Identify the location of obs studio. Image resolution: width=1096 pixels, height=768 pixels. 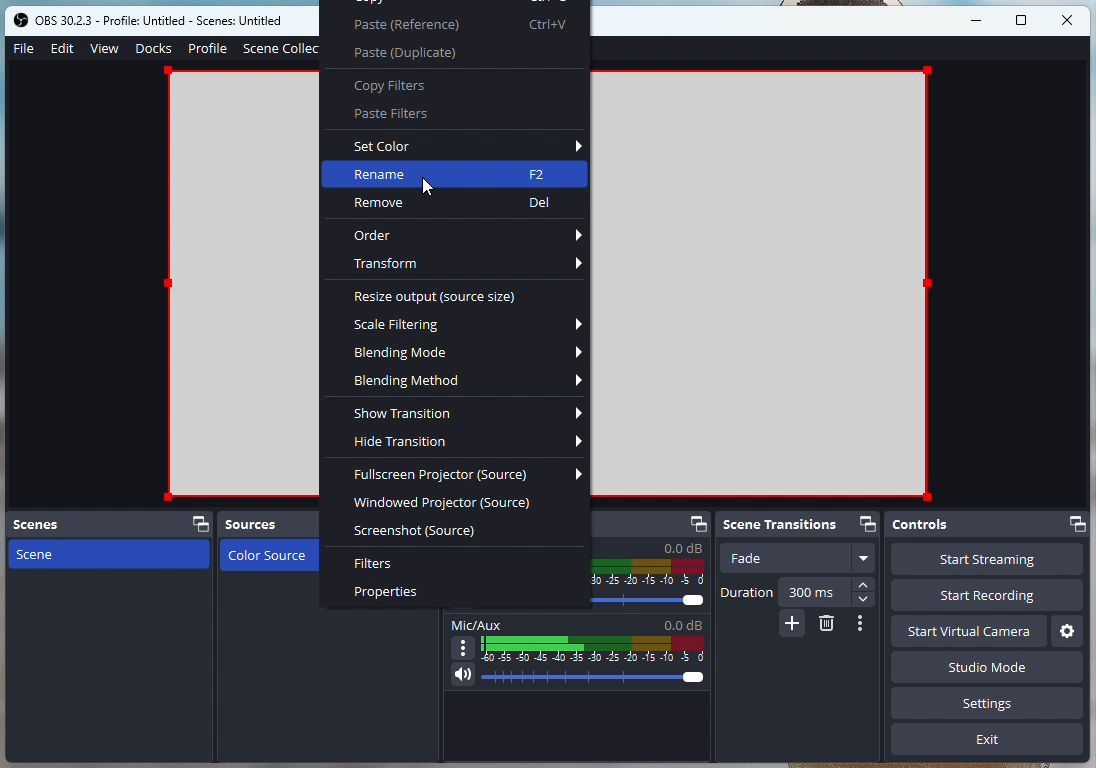
(153, 19).